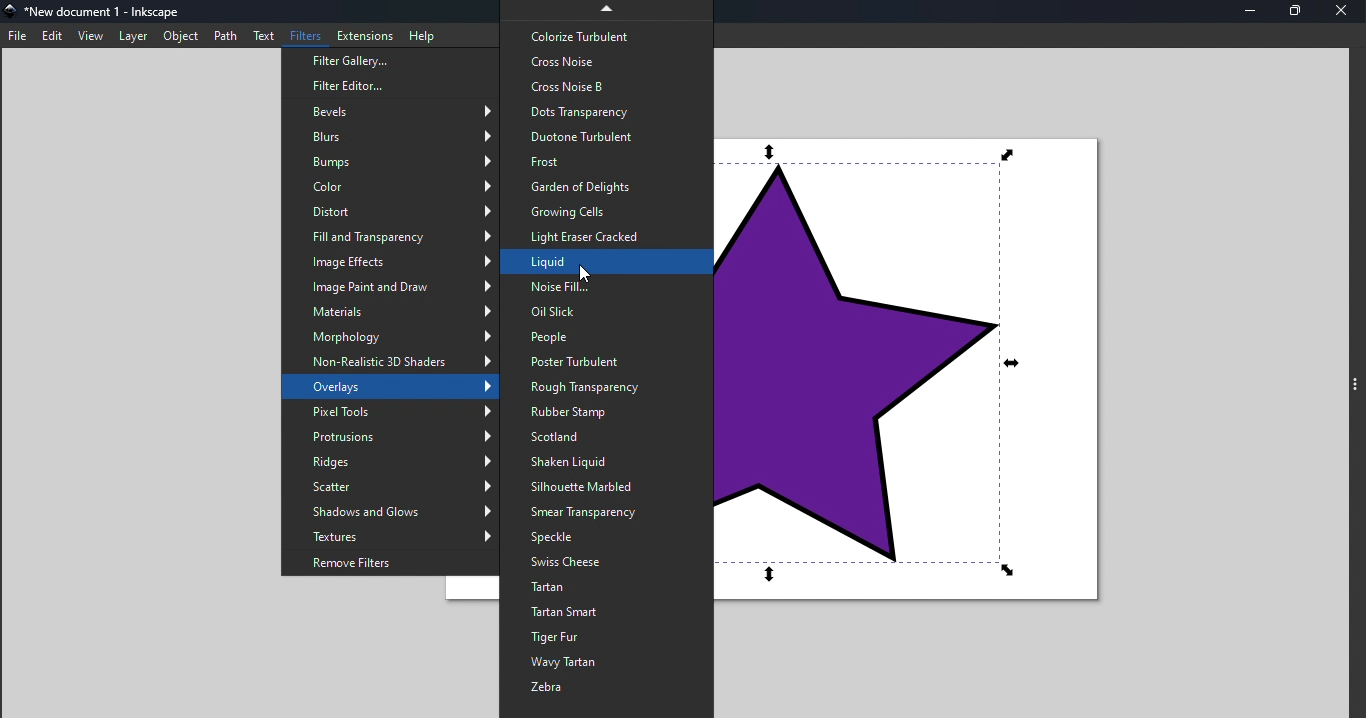  I want to click on Help, so click(425, 35).